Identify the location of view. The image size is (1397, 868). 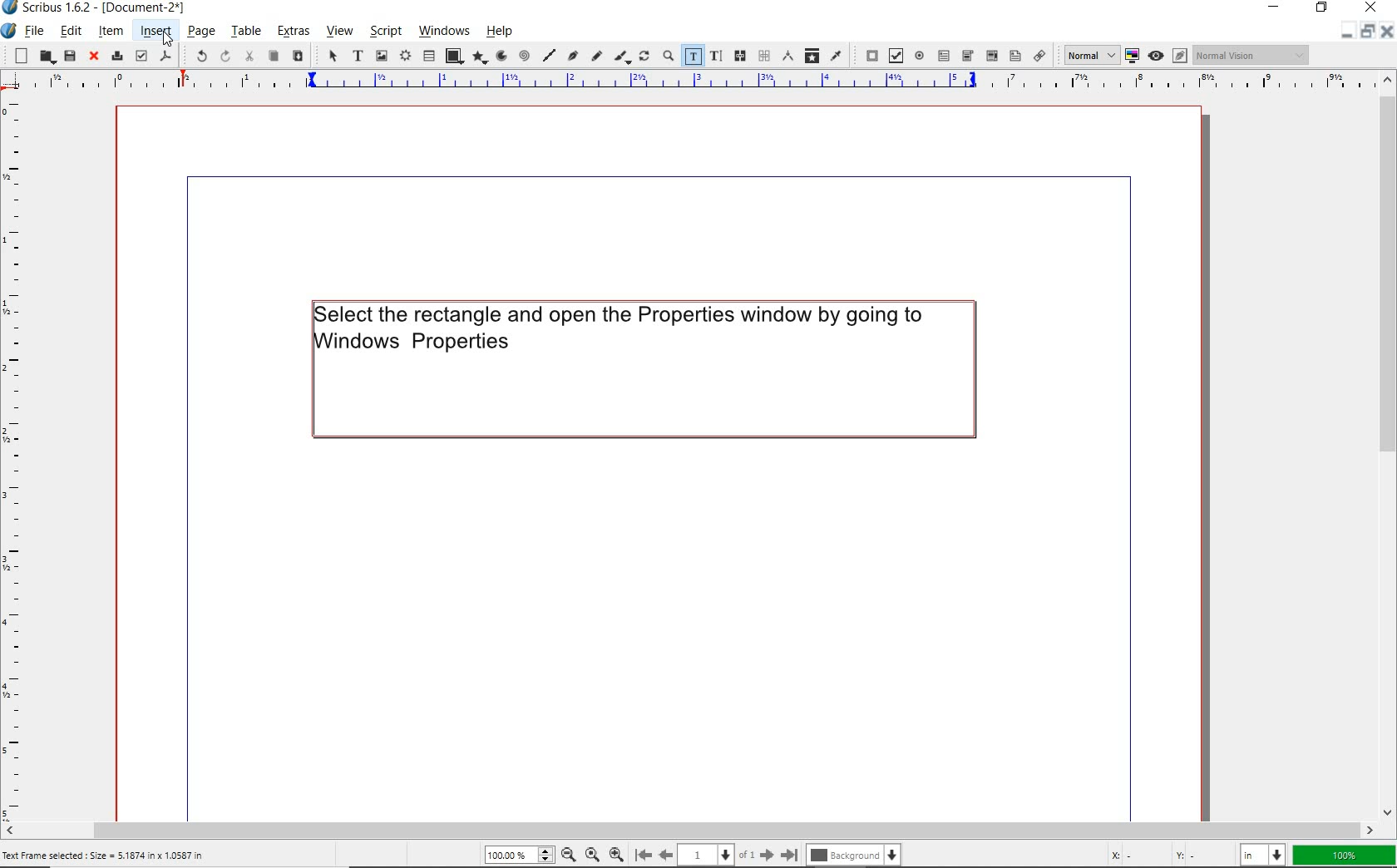
(338, 33).